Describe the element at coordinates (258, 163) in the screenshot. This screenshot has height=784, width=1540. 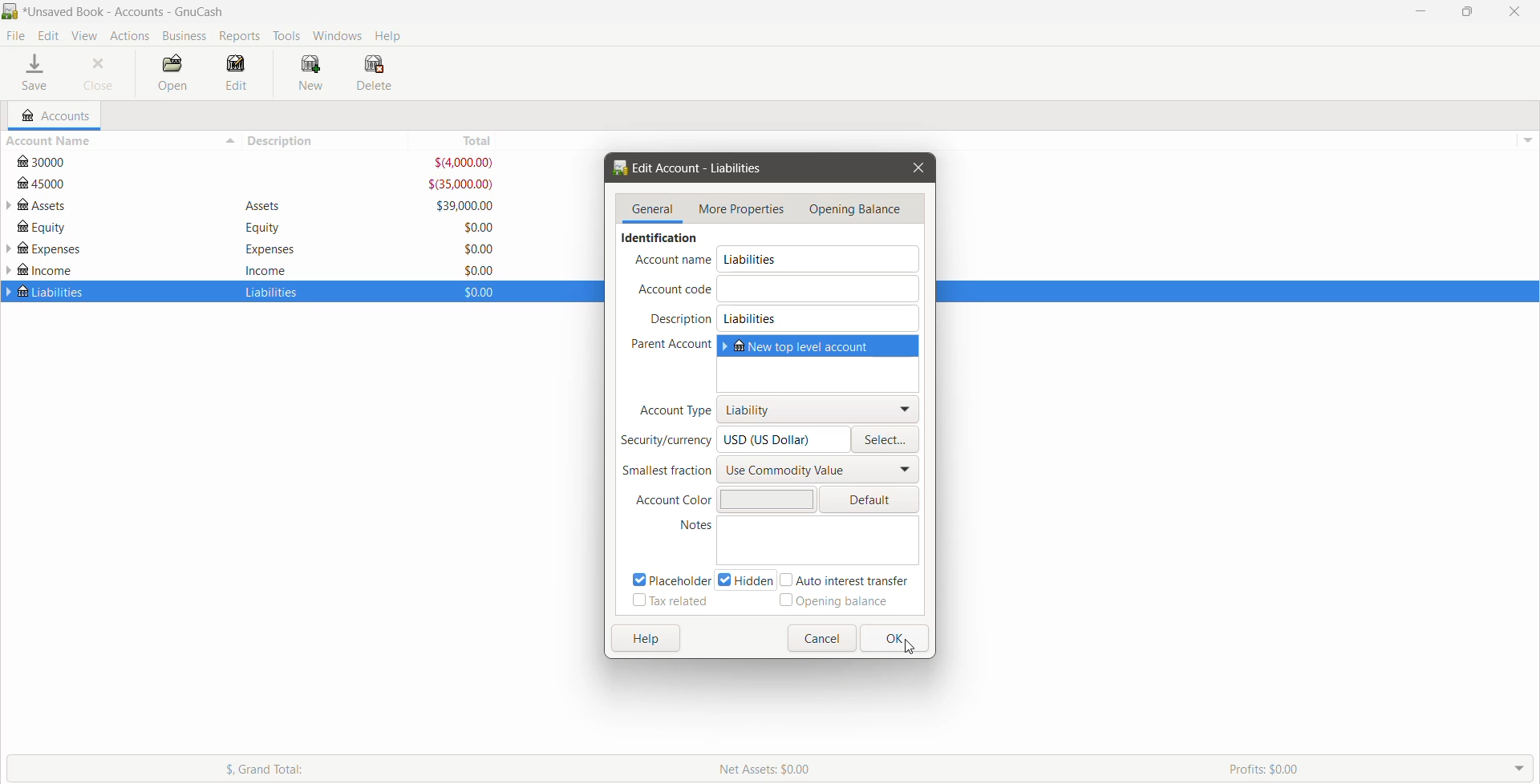
I see `details of the account "30000"` at that location.